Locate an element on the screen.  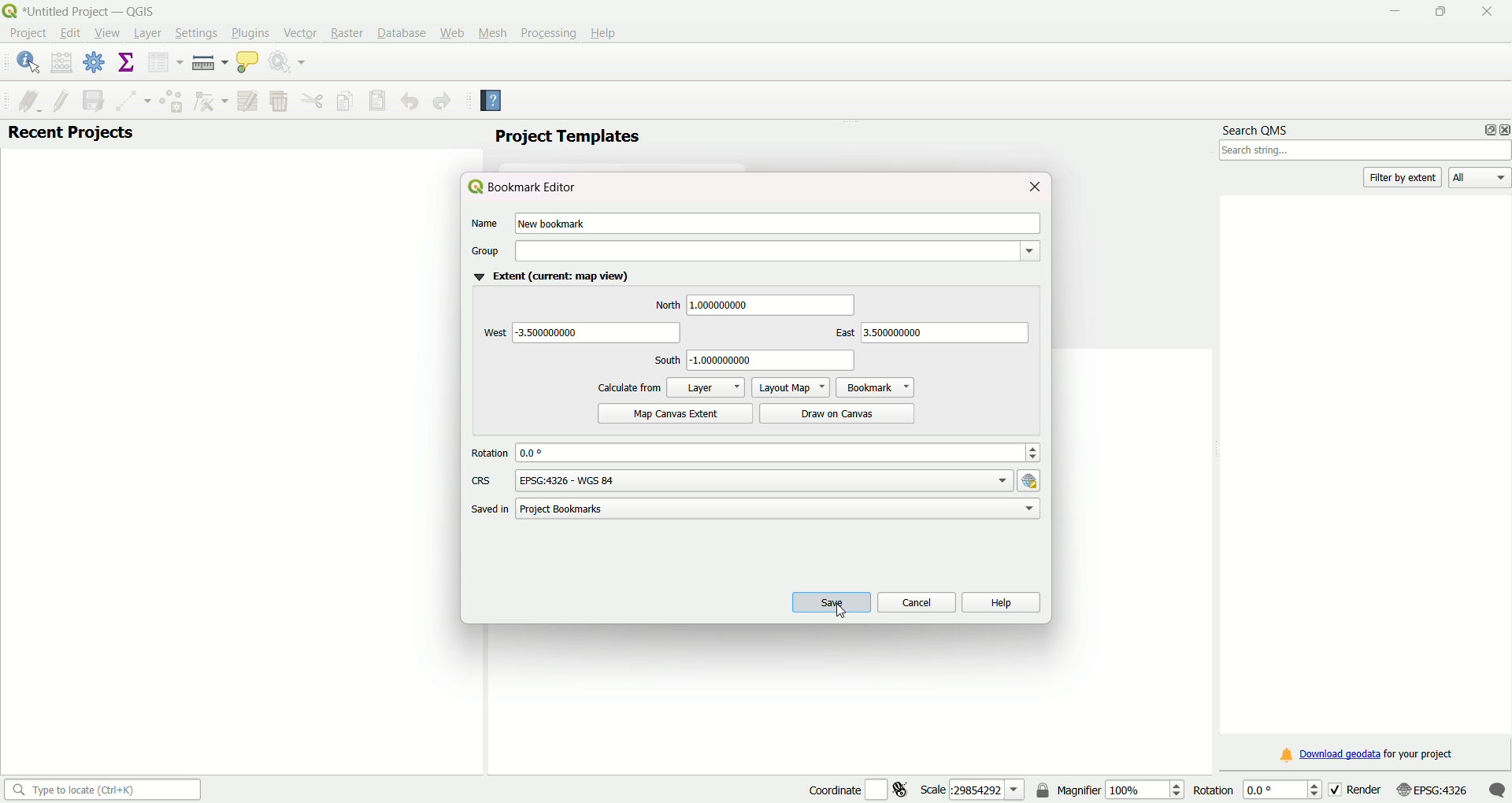
search QMS is located at coordinates (1258, 127).